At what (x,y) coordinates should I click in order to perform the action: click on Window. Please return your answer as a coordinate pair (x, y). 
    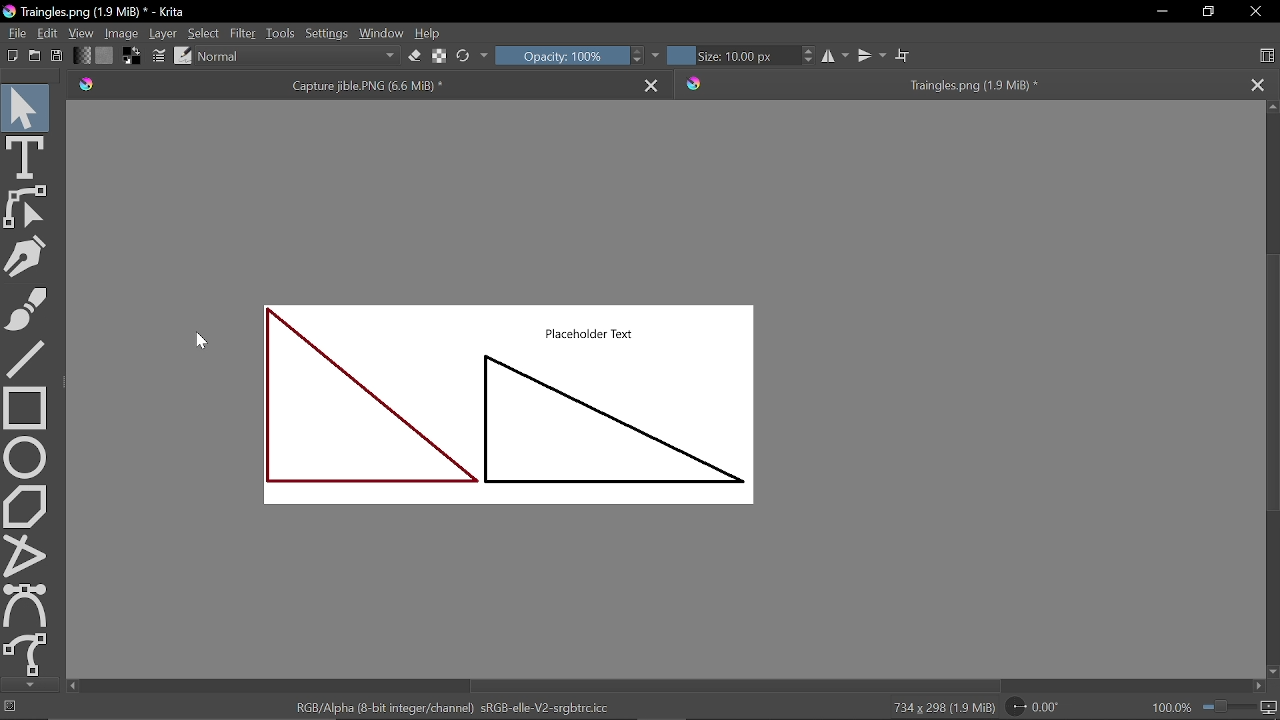
    Looking at the image, I should click on (382, 32).